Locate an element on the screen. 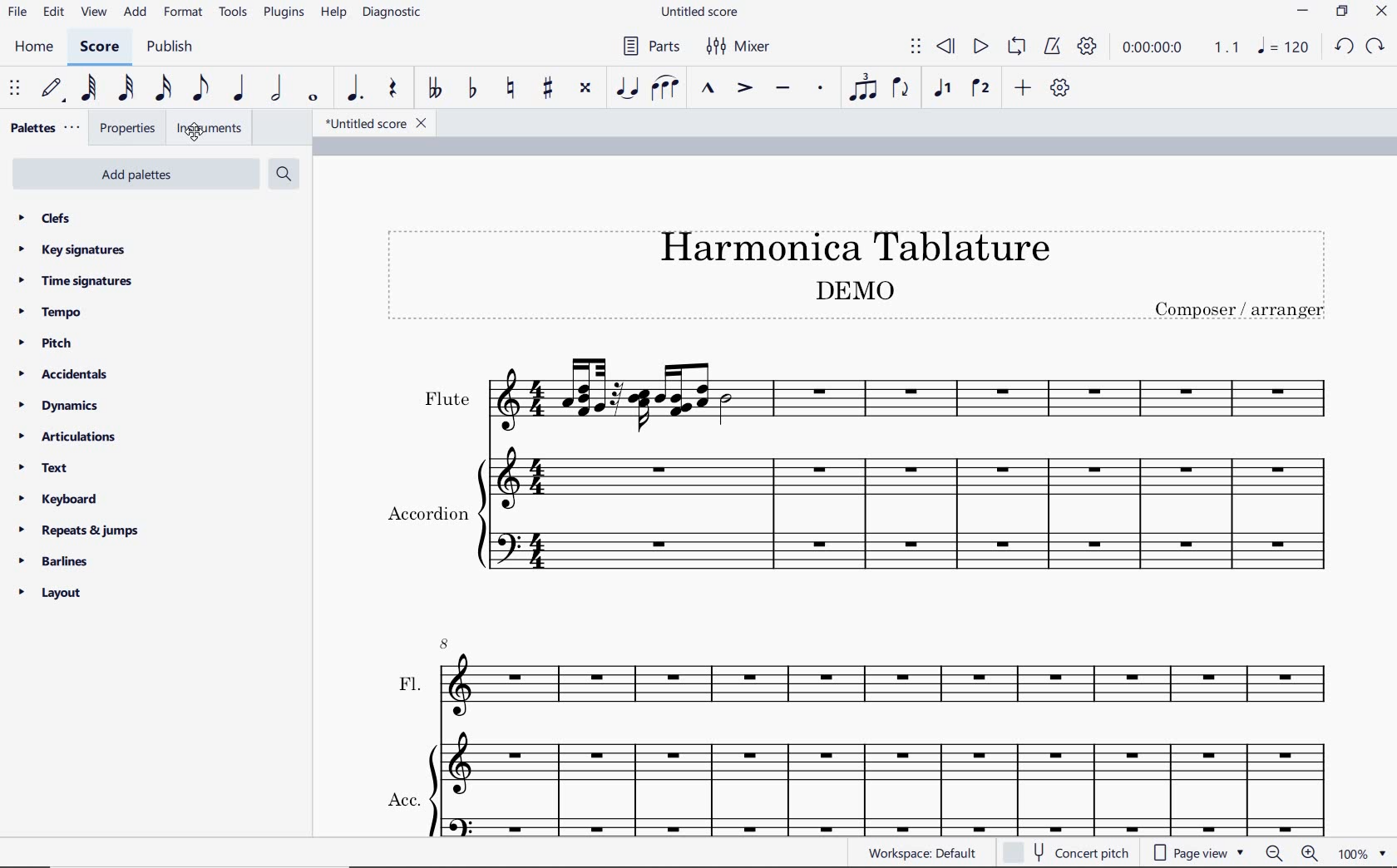 This screenshot has width=1397, height=868. time signatures is located at coordinates (80, 281).